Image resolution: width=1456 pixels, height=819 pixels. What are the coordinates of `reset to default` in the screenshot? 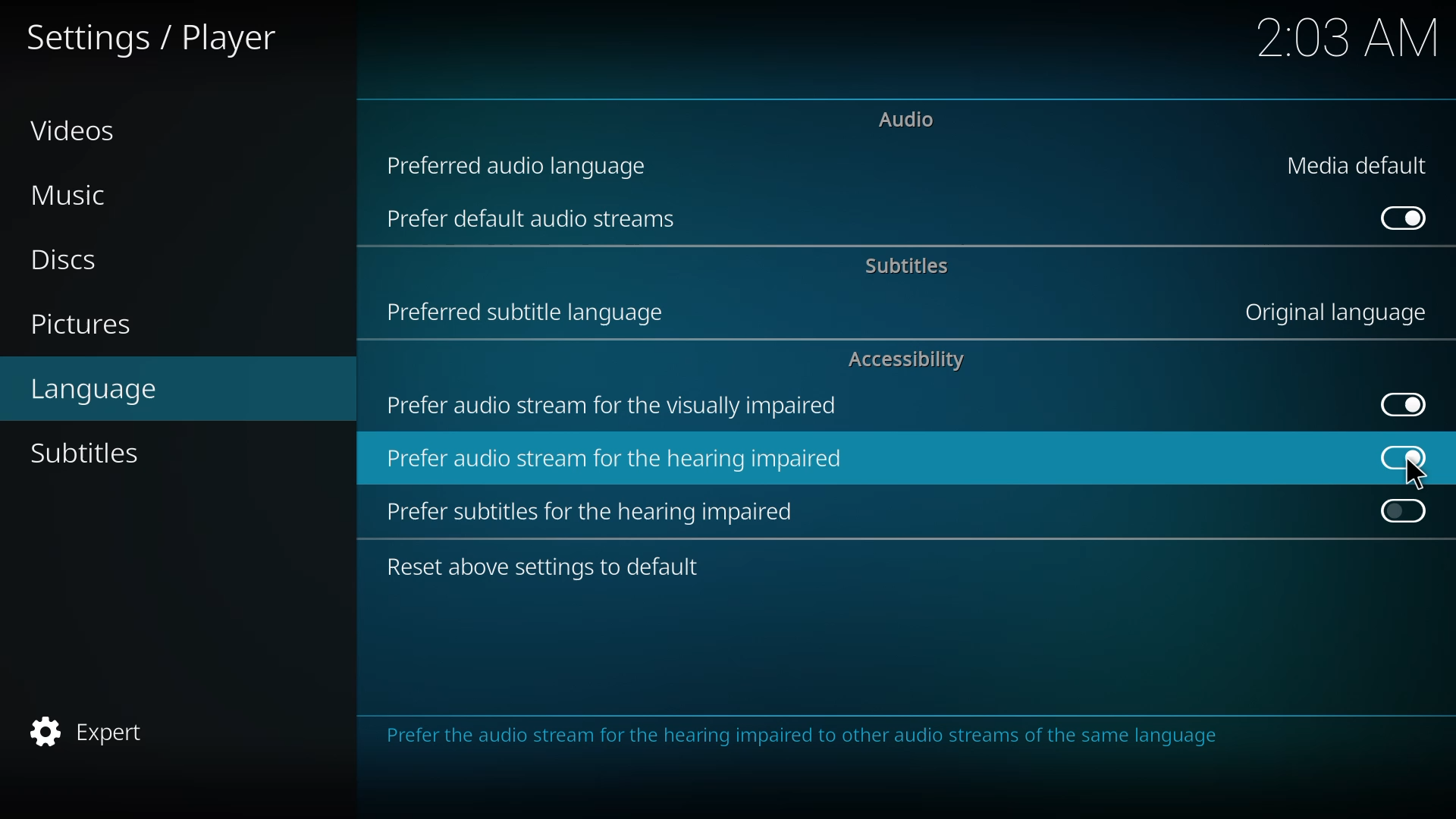 It's located at (546, 563).